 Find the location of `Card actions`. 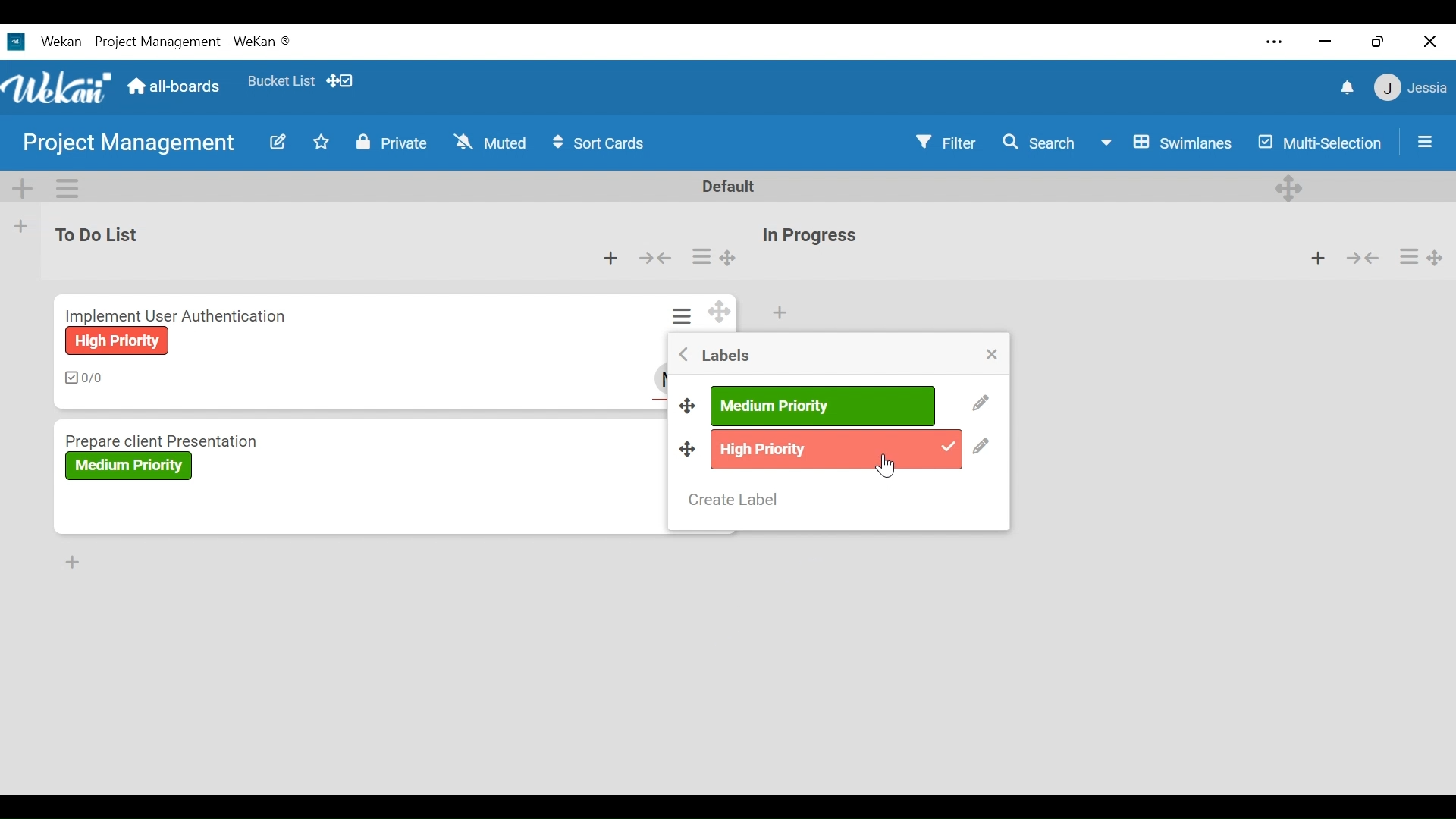

Card actions is located at coordinates (701, 256).